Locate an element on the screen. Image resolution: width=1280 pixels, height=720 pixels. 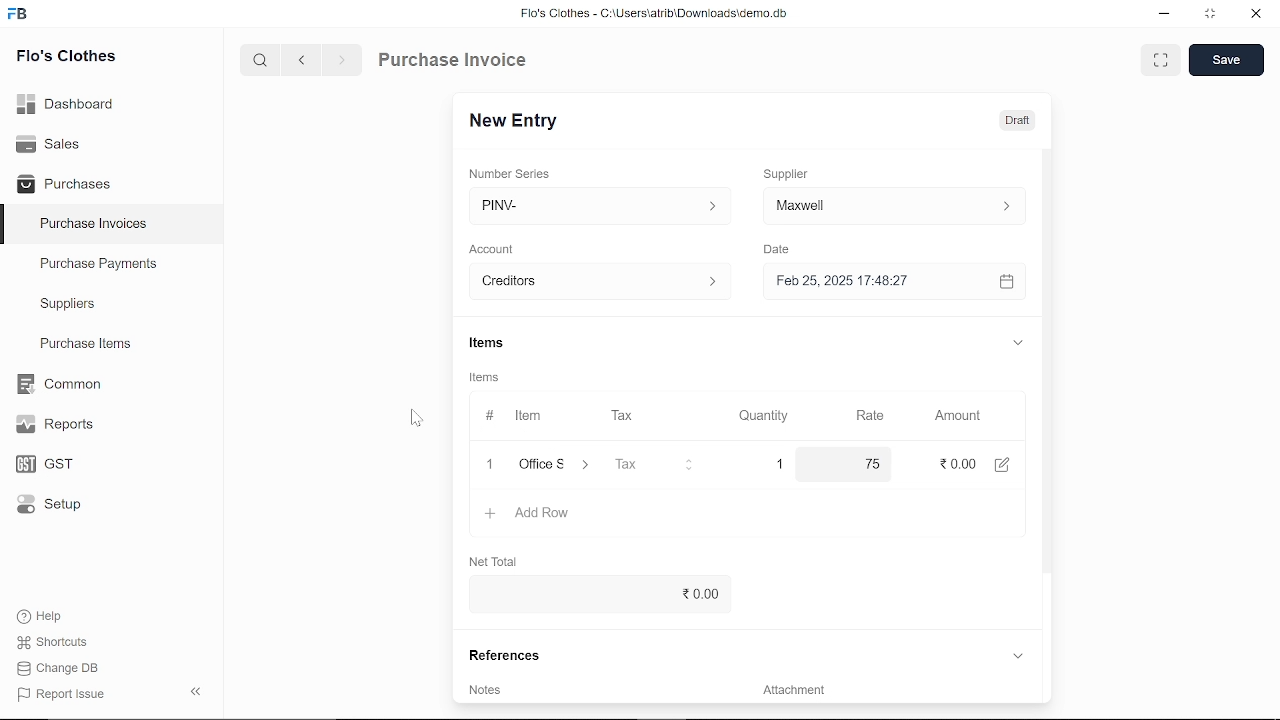
close is located at coordinates (486, 464).